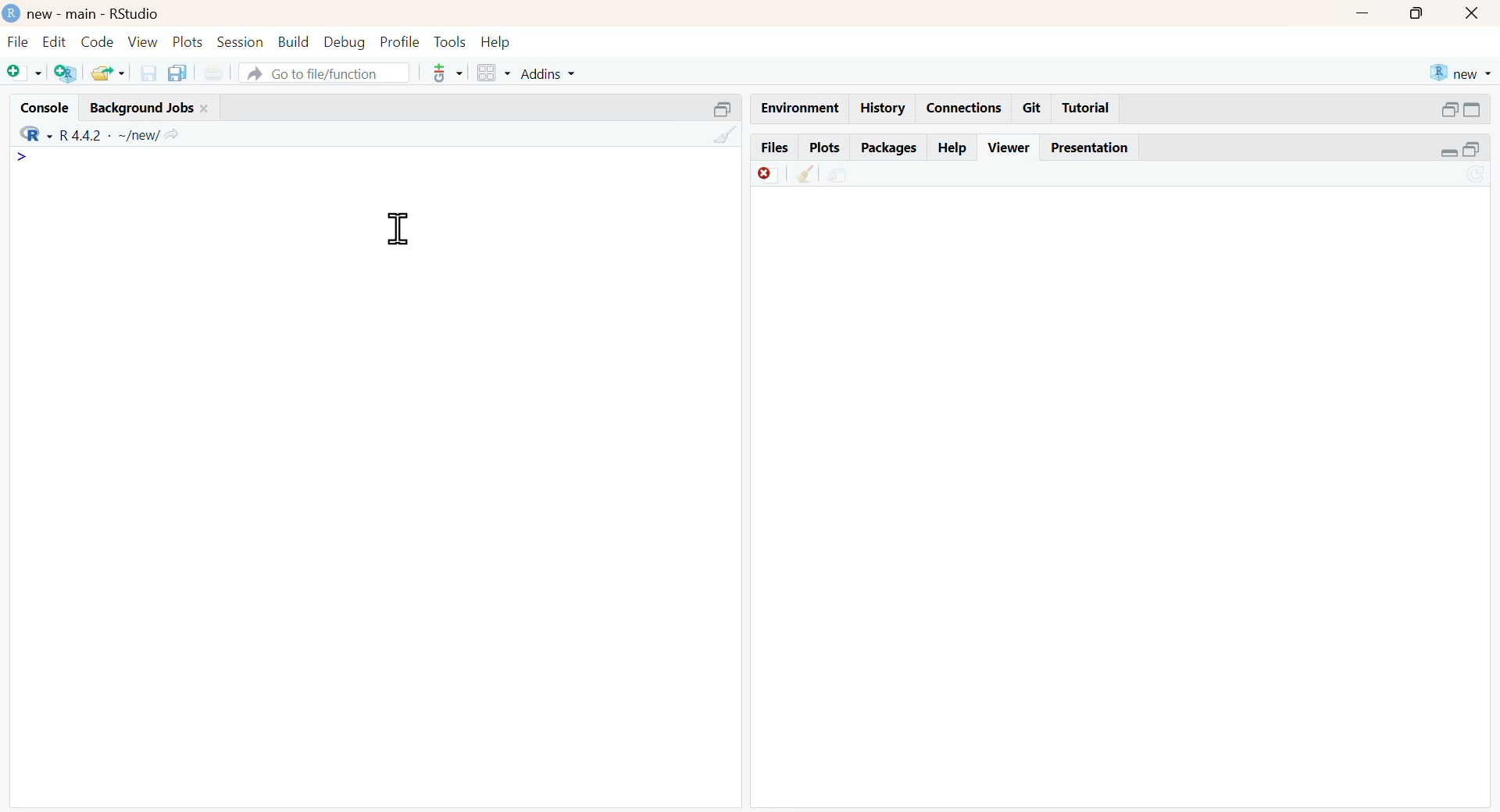 The width and height of the screenshot is (1500, 812). I want to click on Open file, so click(109, 72).